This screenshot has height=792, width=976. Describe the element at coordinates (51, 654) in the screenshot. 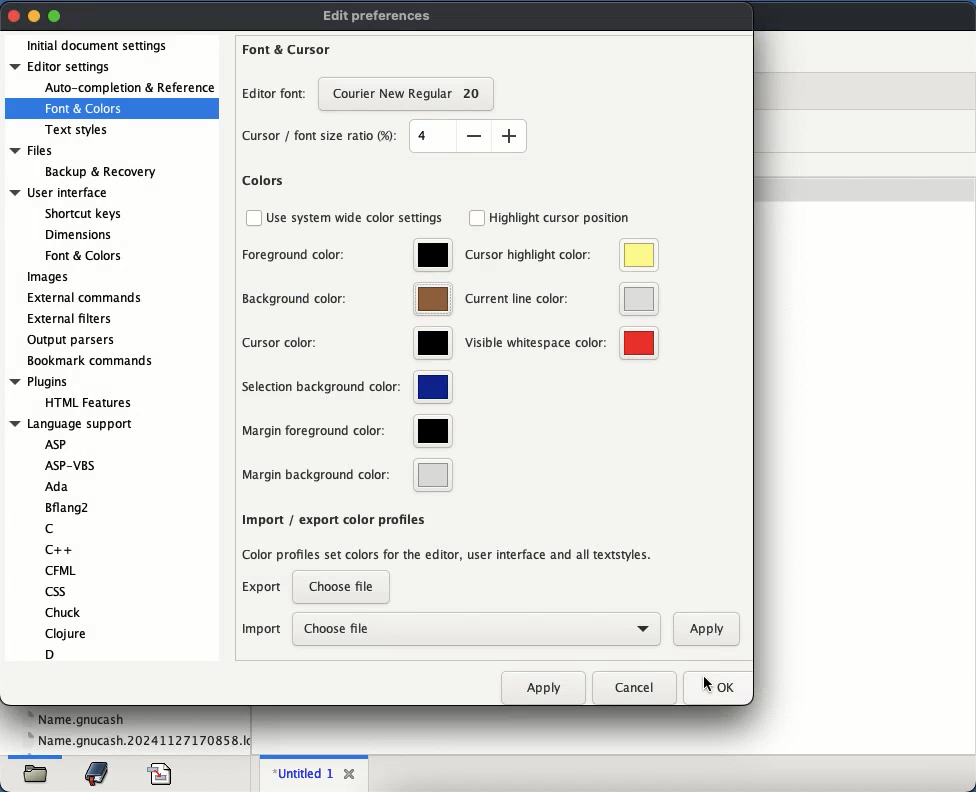

I see `D` at that location.